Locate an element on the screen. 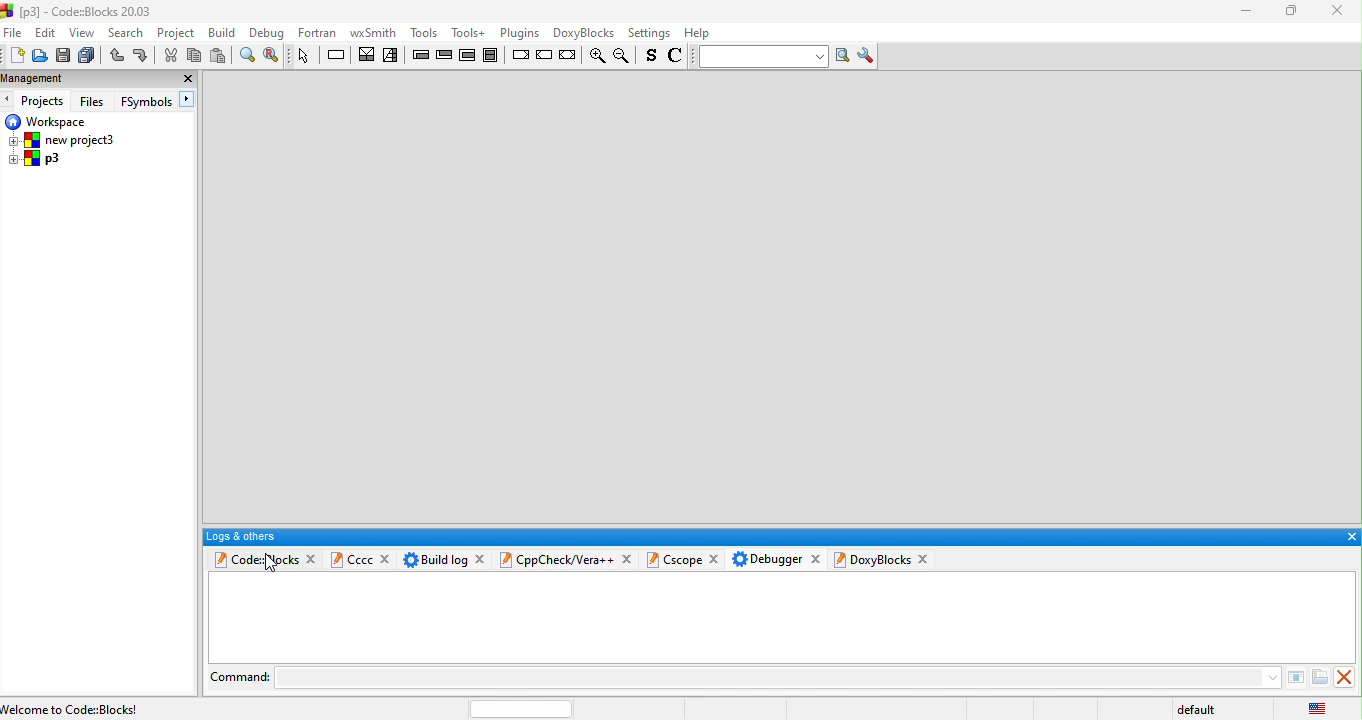 The height and width of the screenshot is (720, 1362). file is located at coordinates (14, 32).